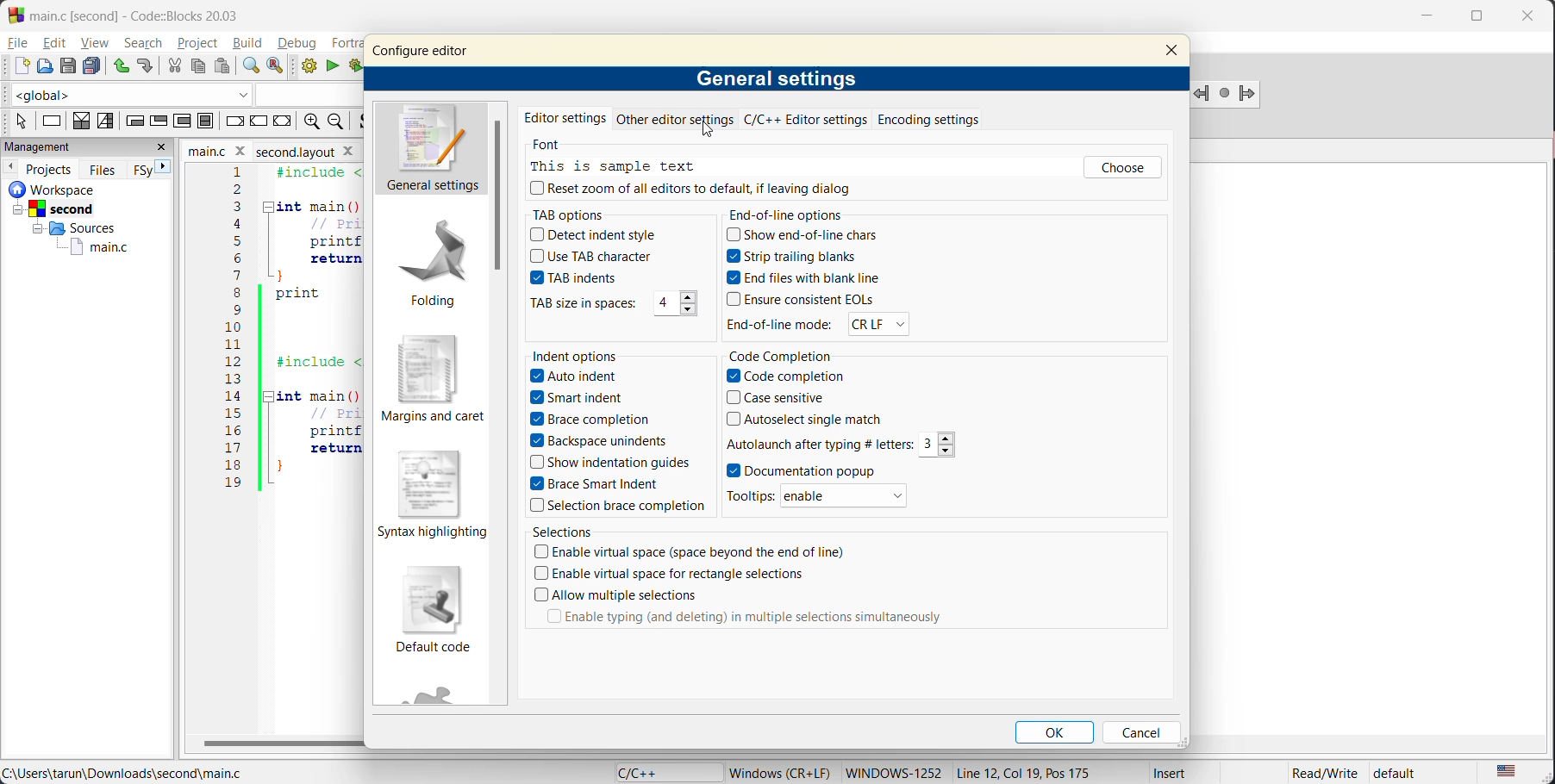 This screenshot has width=1555, height=784. What do you see at coordinates (1226, 94) in the screenshot?
I see `last jump` at bounding box center [1226, 94].